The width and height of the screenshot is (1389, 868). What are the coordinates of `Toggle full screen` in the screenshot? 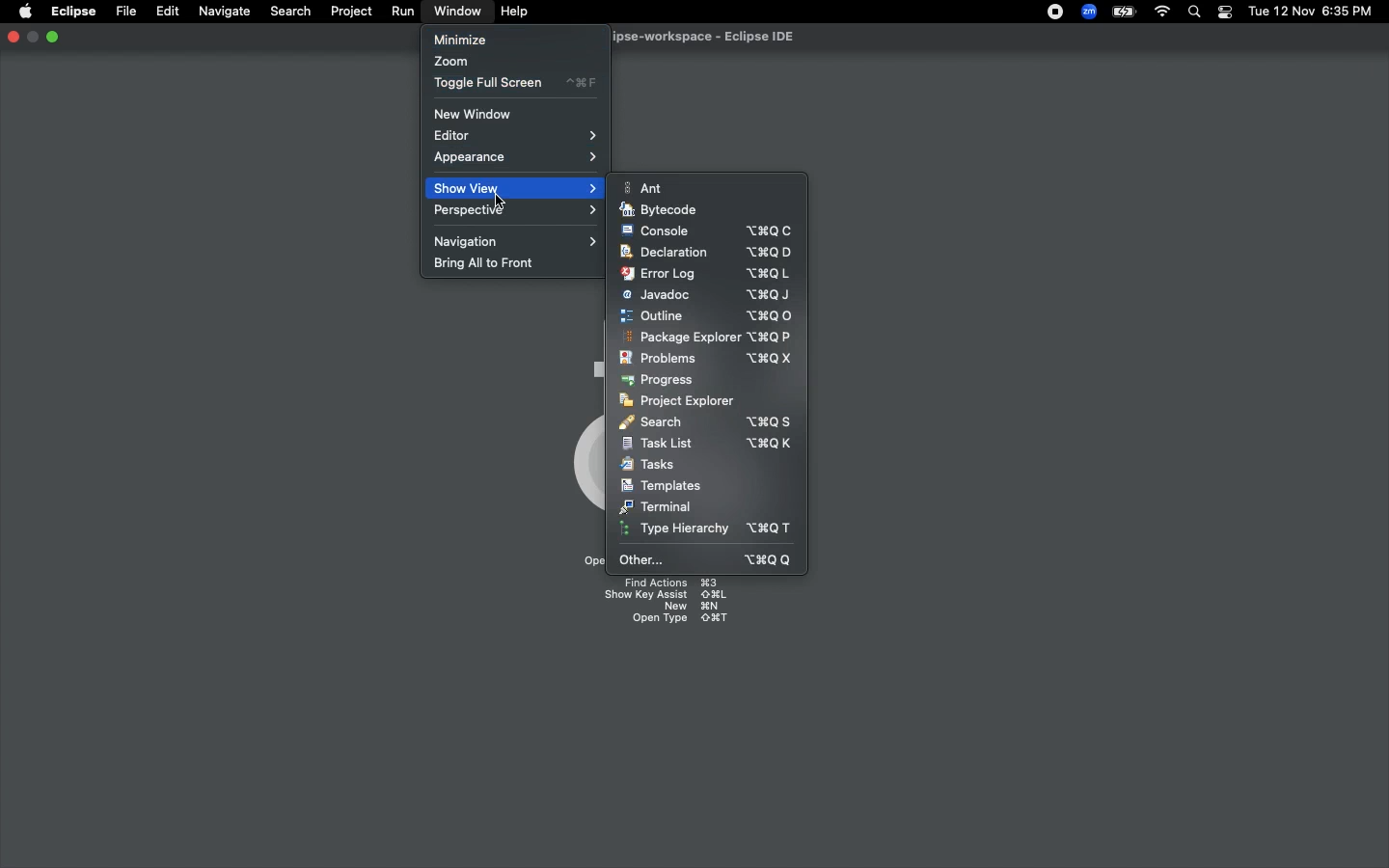 It's located at (515, 83).